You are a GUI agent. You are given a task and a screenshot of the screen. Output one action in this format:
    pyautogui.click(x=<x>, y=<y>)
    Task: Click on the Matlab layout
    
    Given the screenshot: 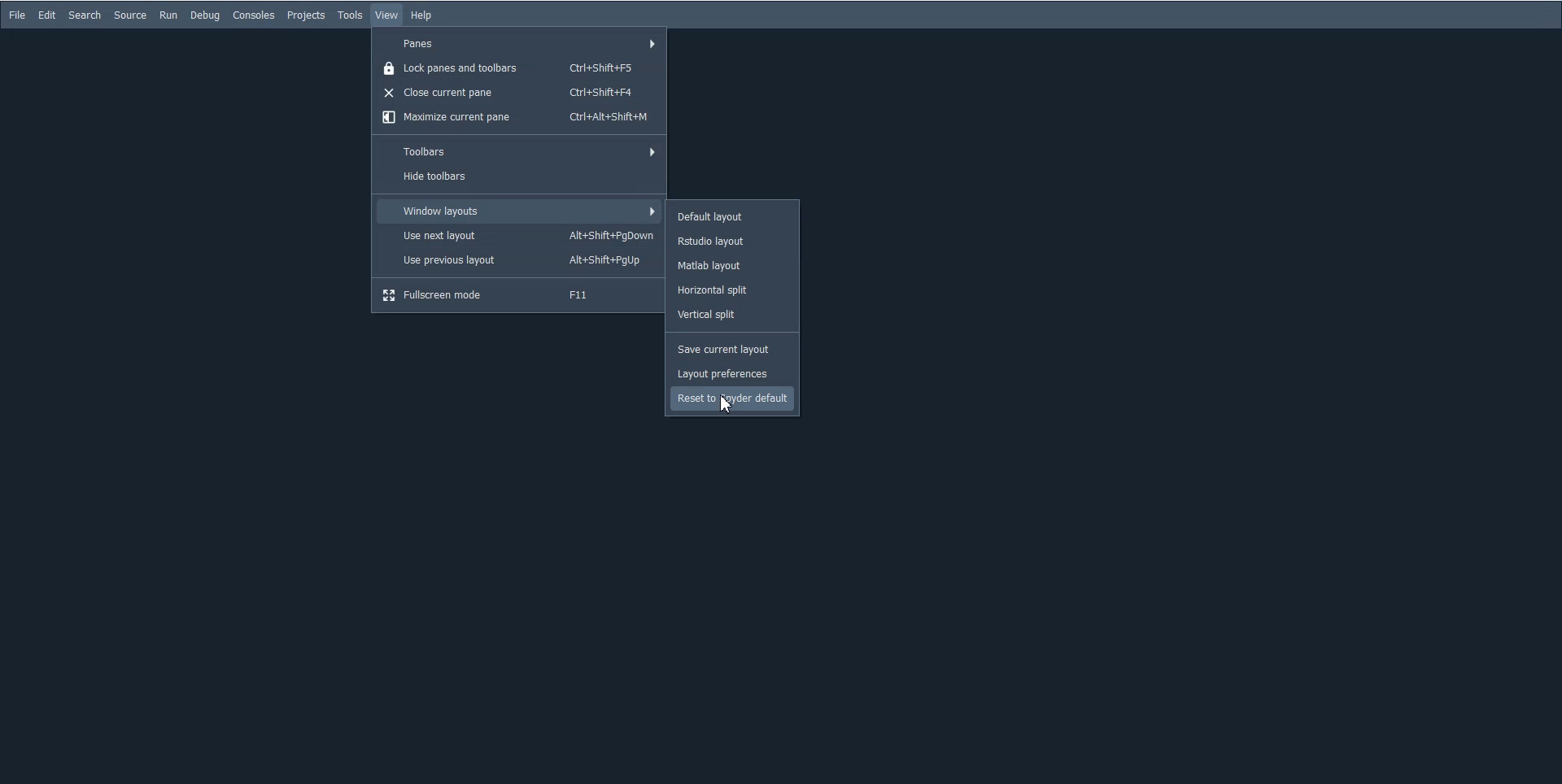 What is the action you would take?
    pyautogui.click(x=734, y=264)
    